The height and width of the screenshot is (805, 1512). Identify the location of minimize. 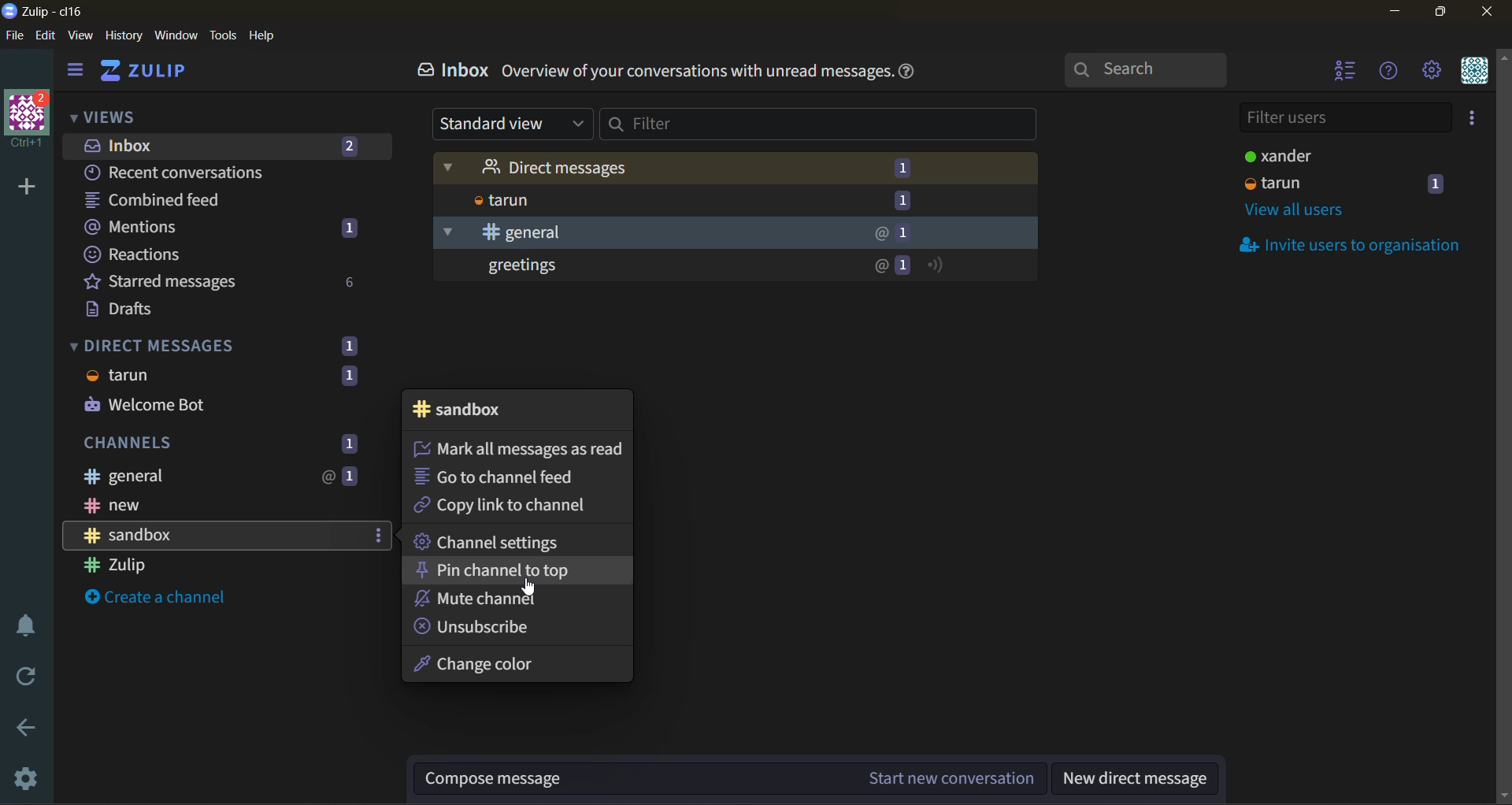
(1397, 12).